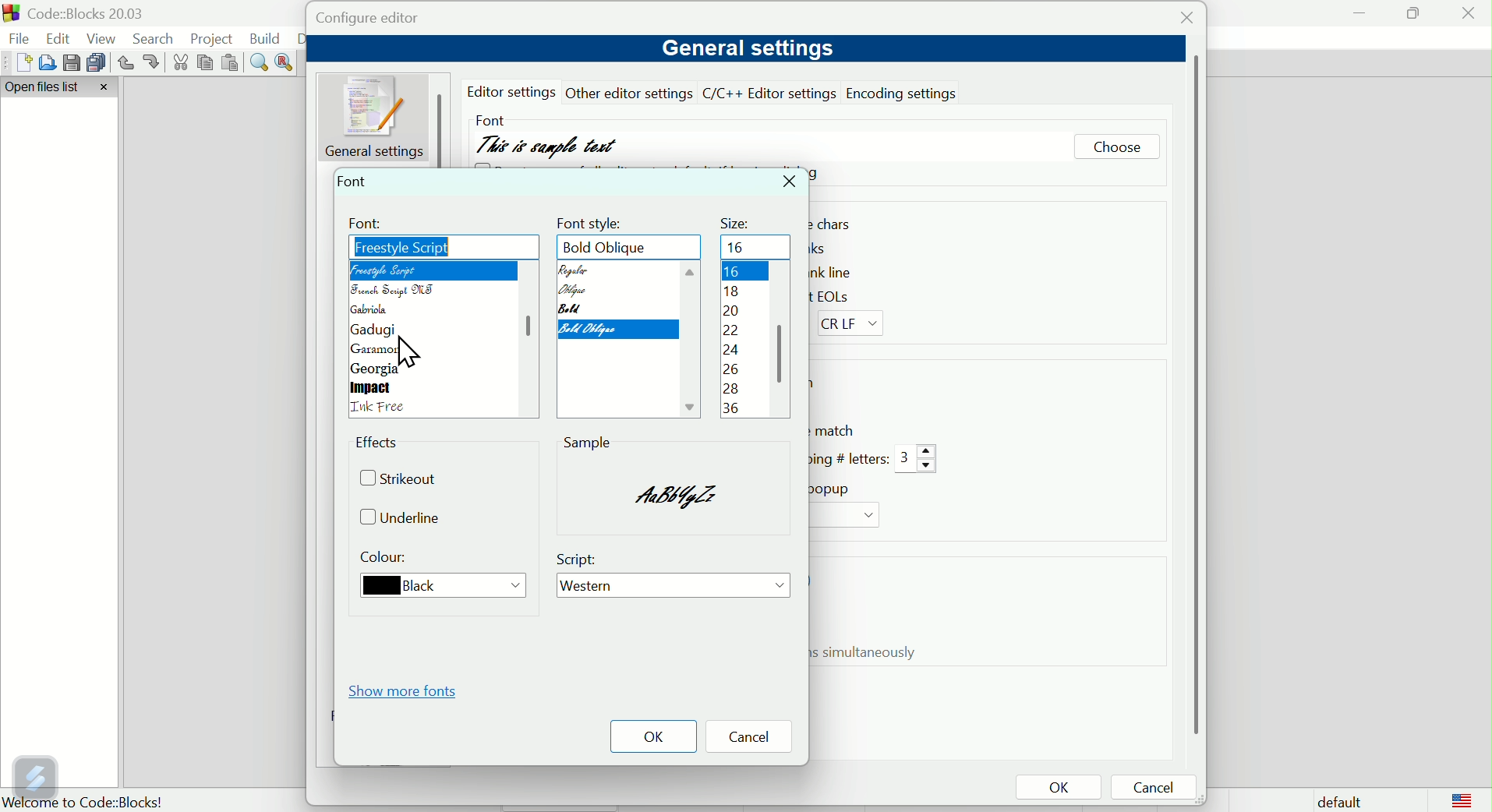 This screenshot has height=812, width=1492. What do you see at coordinates (382, 408) in the screenshot?
I see `language` at bounding box center [382, 408].